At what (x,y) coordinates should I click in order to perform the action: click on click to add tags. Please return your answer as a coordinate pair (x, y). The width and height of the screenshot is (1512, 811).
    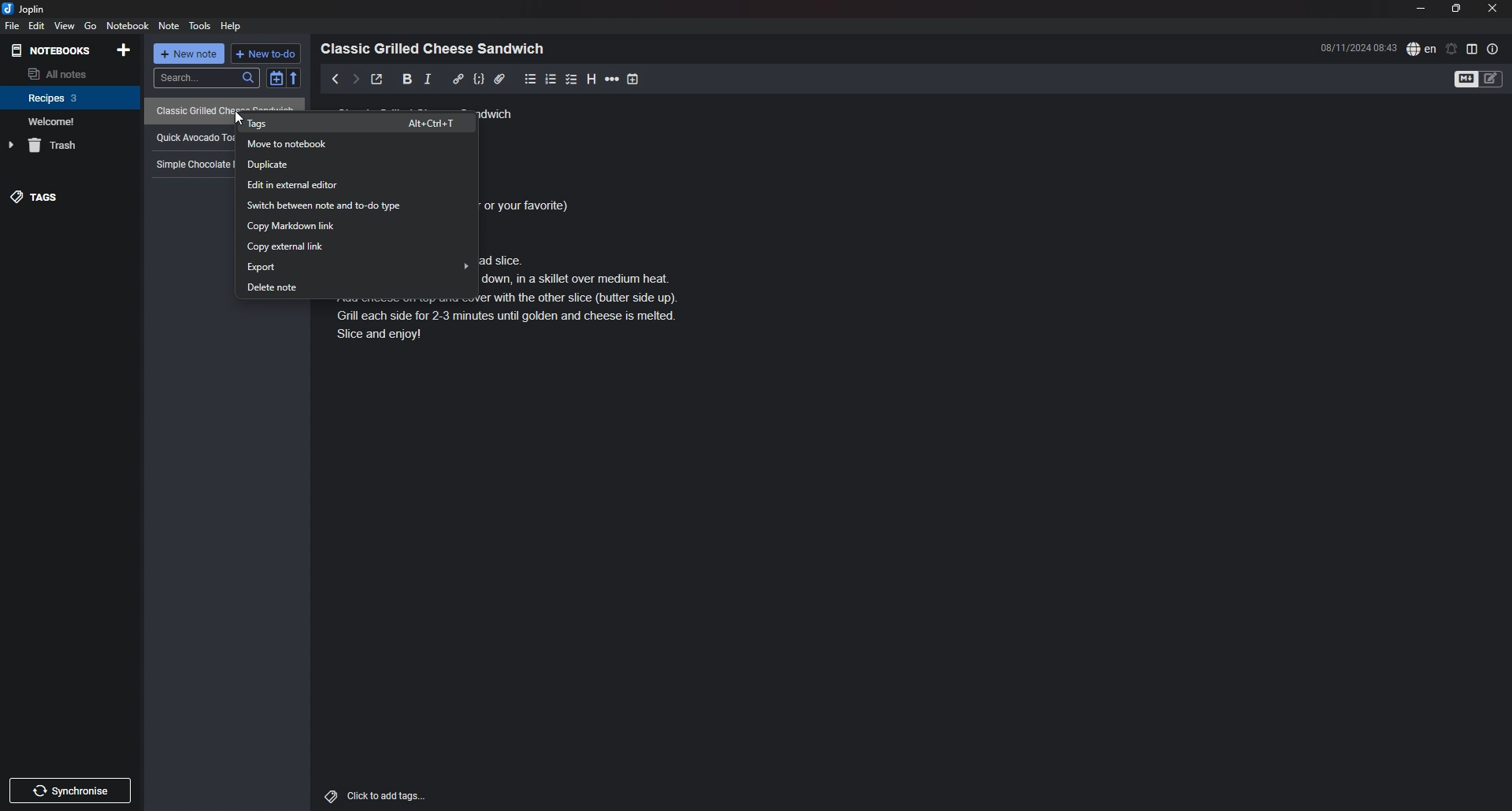
    Looking at the image, I should click on (396, 795).